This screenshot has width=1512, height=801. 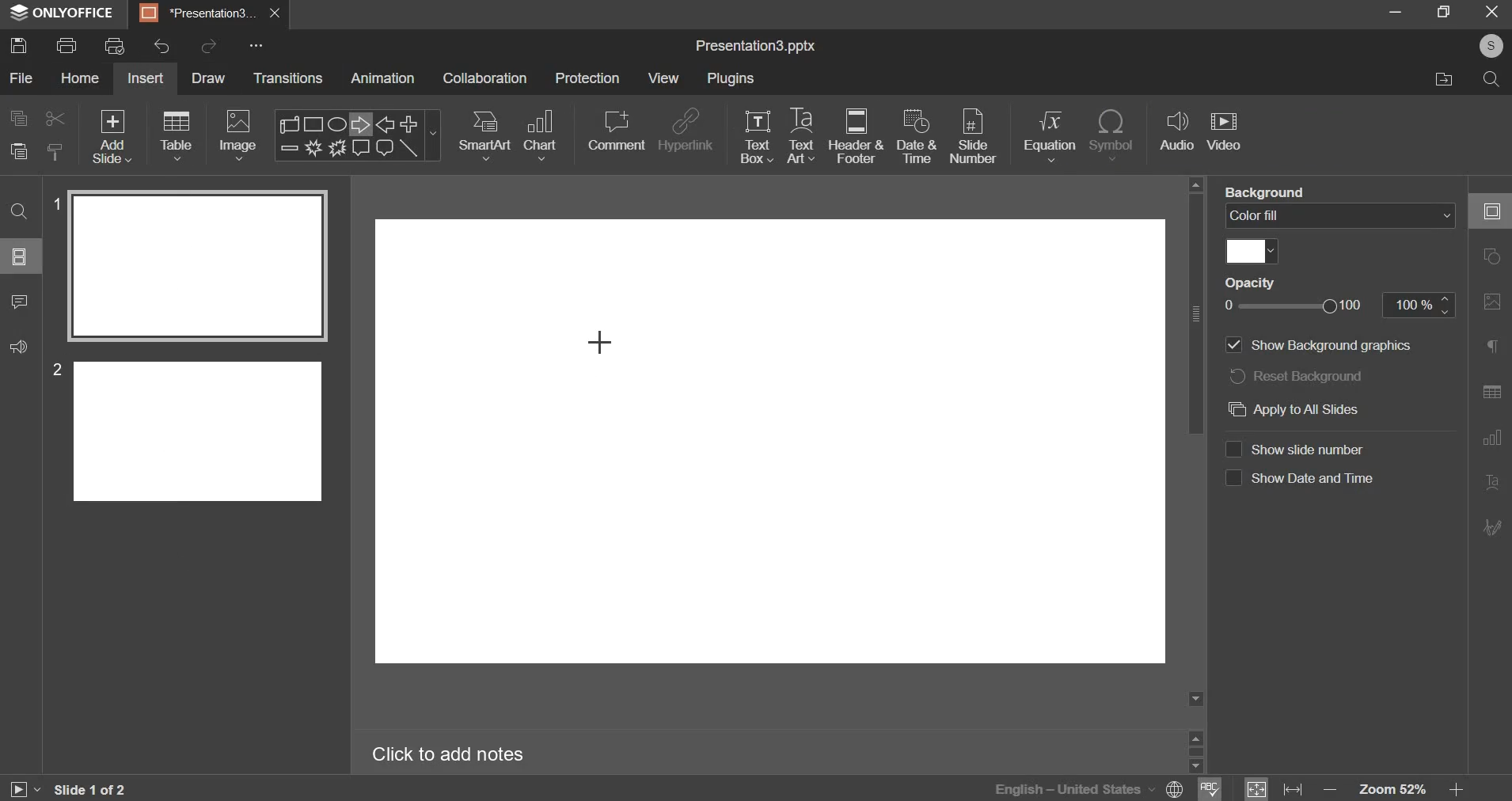 What do you see at coordinates (18, 151) in the screenshot?
I see `paste` at bounding box center [18, 151].